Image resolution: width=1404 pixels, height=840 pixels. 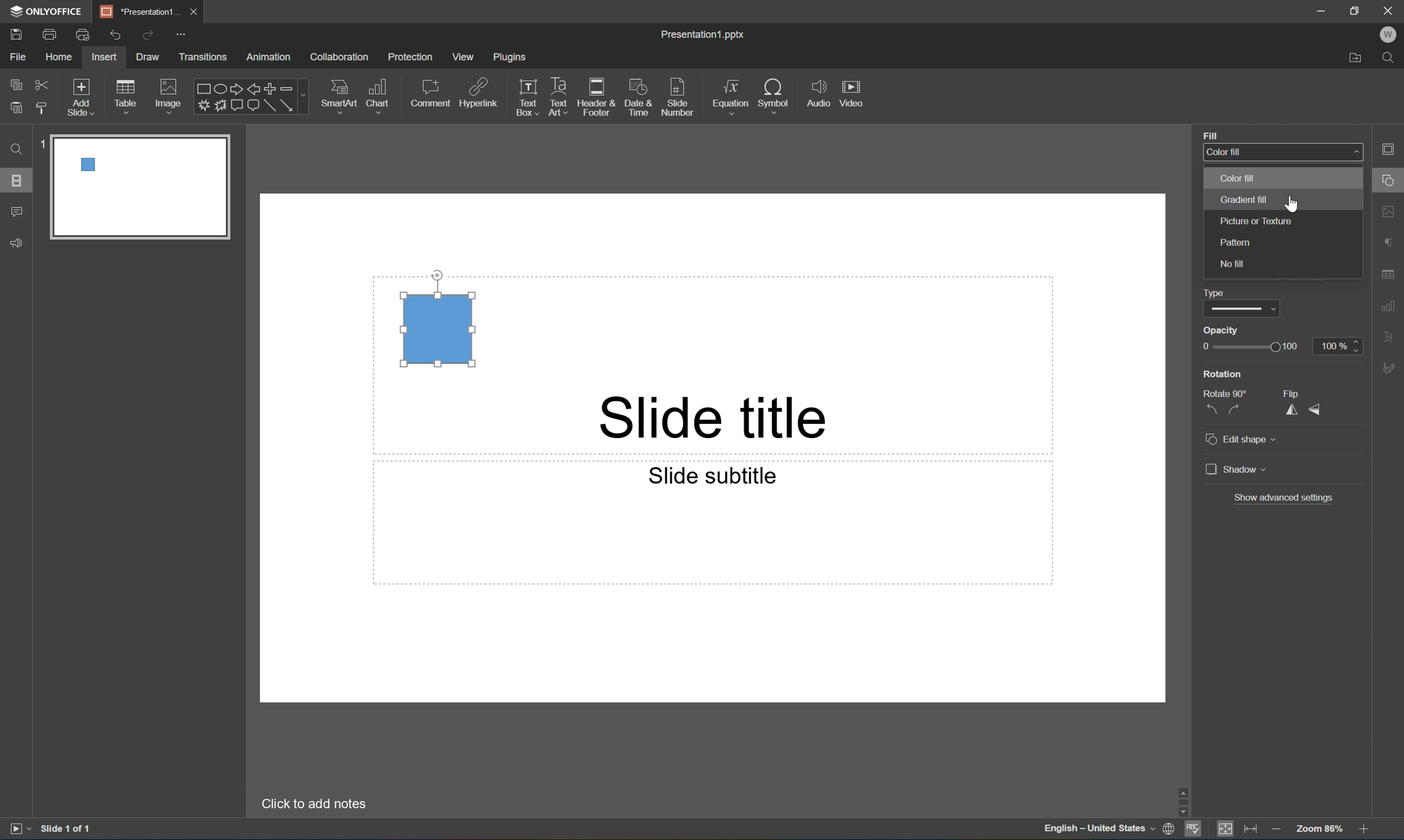 What do you see at coordinates (1388, 35) in the screenshot?
I see `W` at bounding box center [1388, 35].